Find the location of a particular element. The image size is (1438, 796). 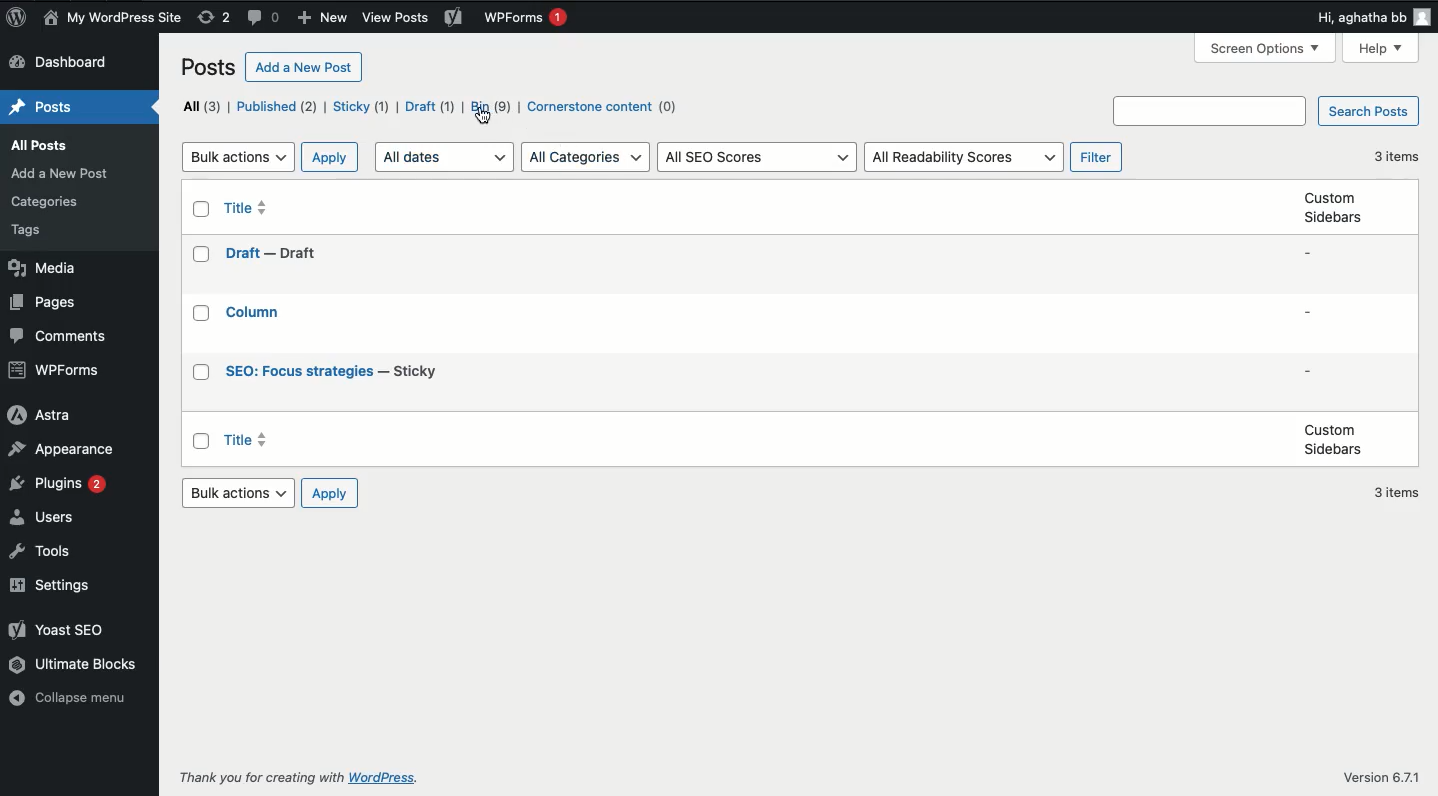

Media is located at coordinates (43, 269).